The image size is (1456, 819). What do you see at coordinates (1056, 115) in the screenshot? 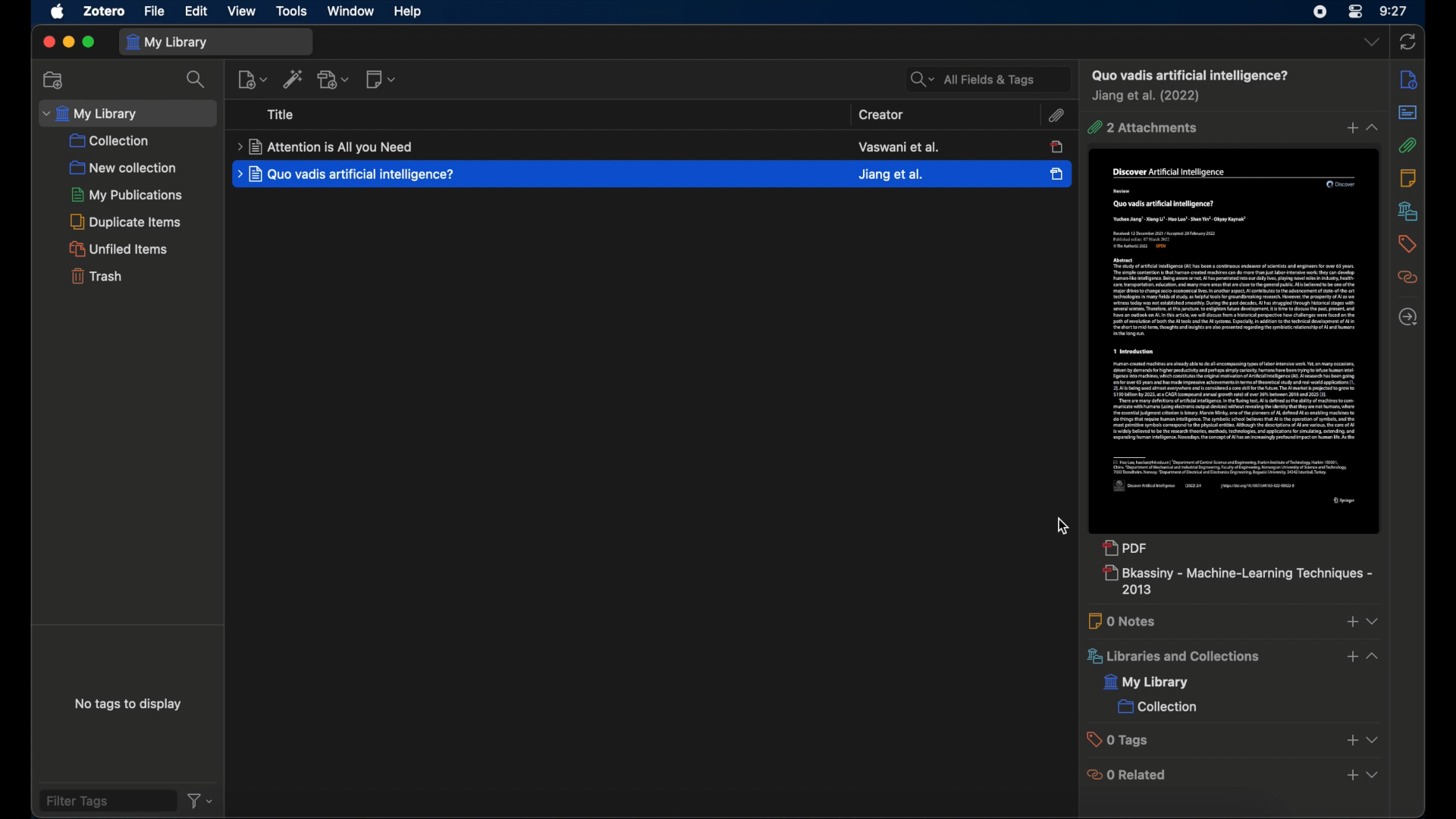
I see `attachments` at bounding box center [1056, 115].